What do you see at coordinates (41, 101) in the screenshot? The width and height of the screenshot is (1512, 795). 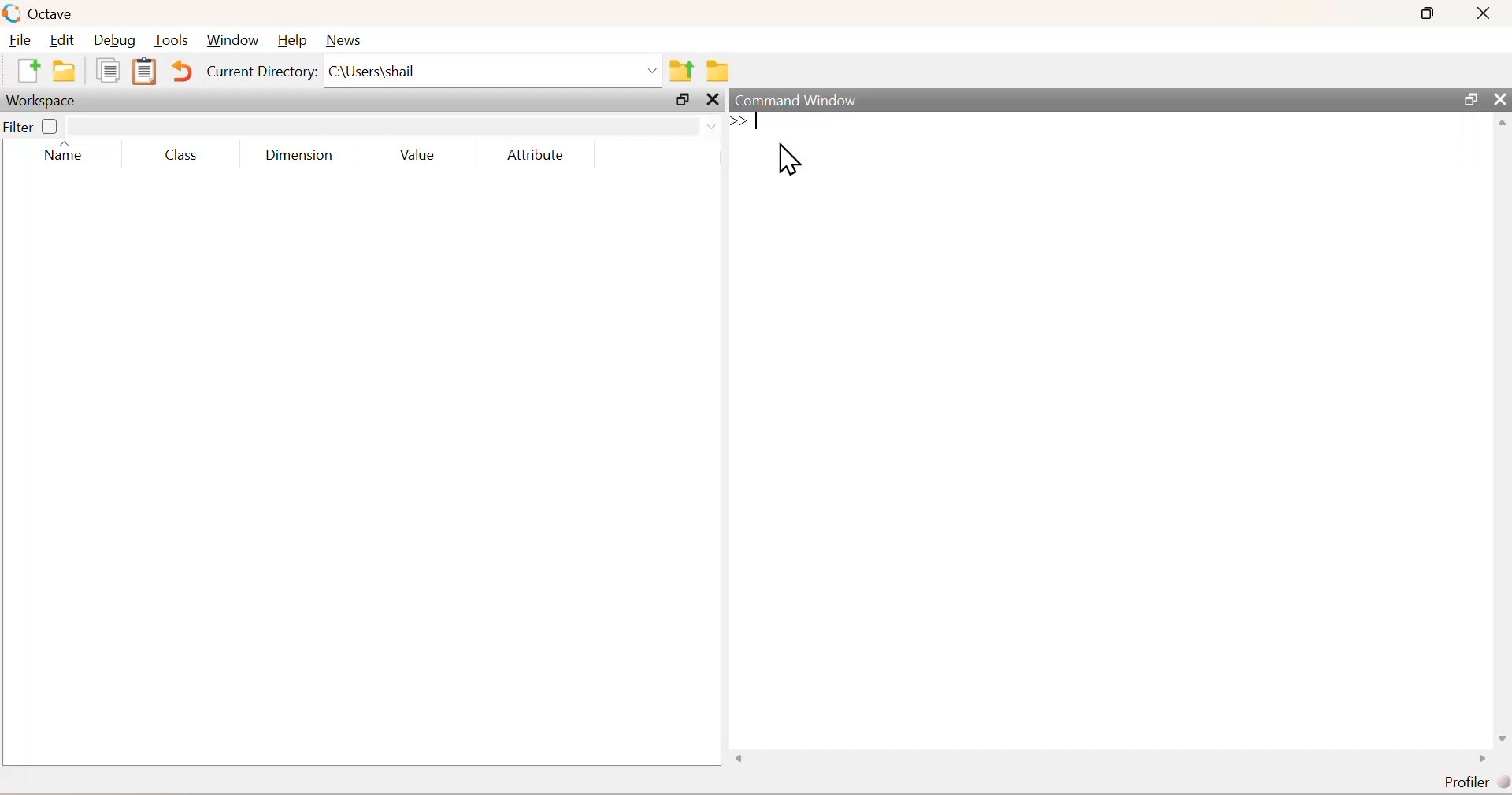 I see `Workspace` at bounding box center [41, 101].